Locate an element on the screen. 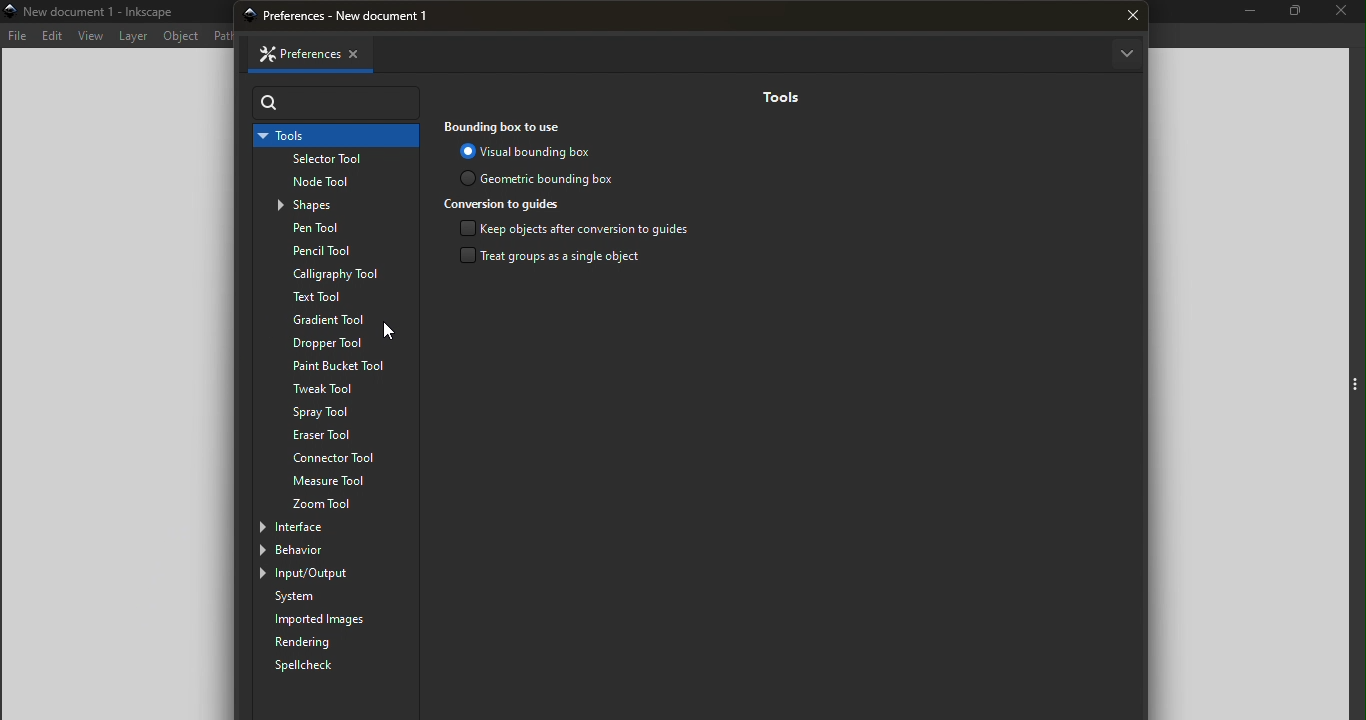 This screenshot has width=1366, height=720. Close is located at coordinates (363, 52).